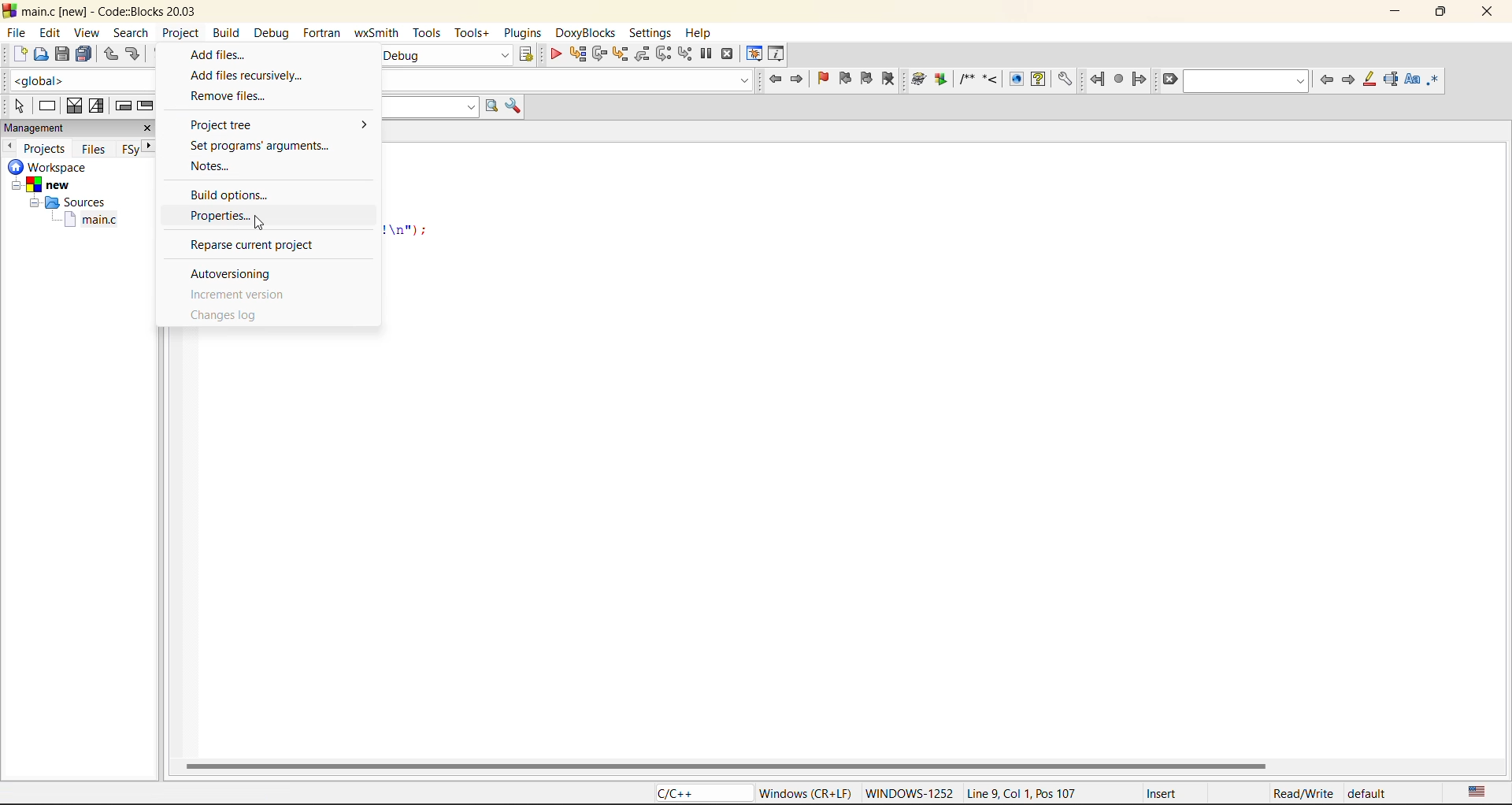  What do you see at coordinates (37, 128) in the screenshot?
I see `management` at bounding box center [37, 128].